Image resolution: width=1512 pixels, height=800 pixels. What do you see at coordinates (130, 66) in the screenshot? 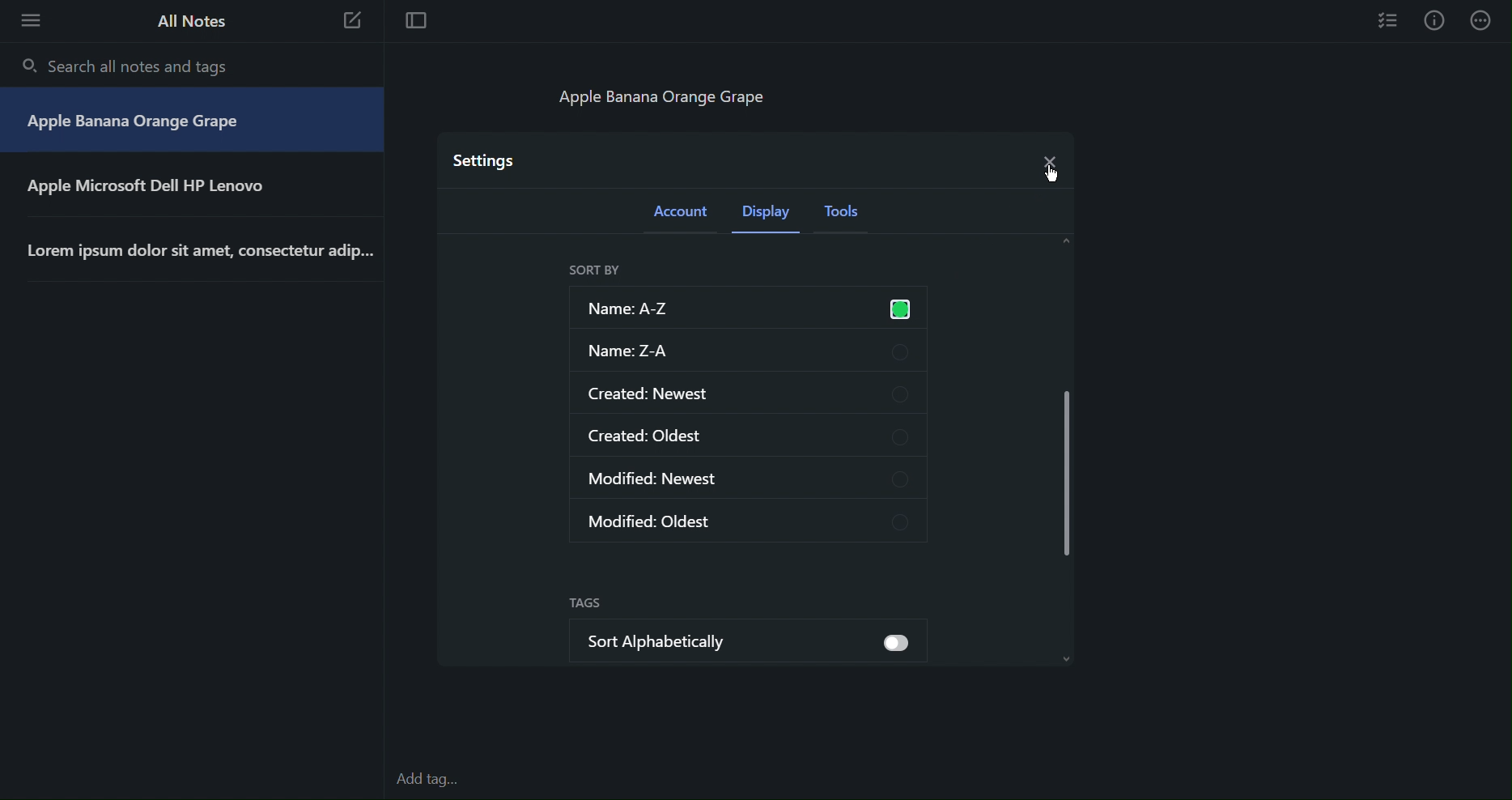
I see `Search all notes and tags` at bounding box center [130, 66].